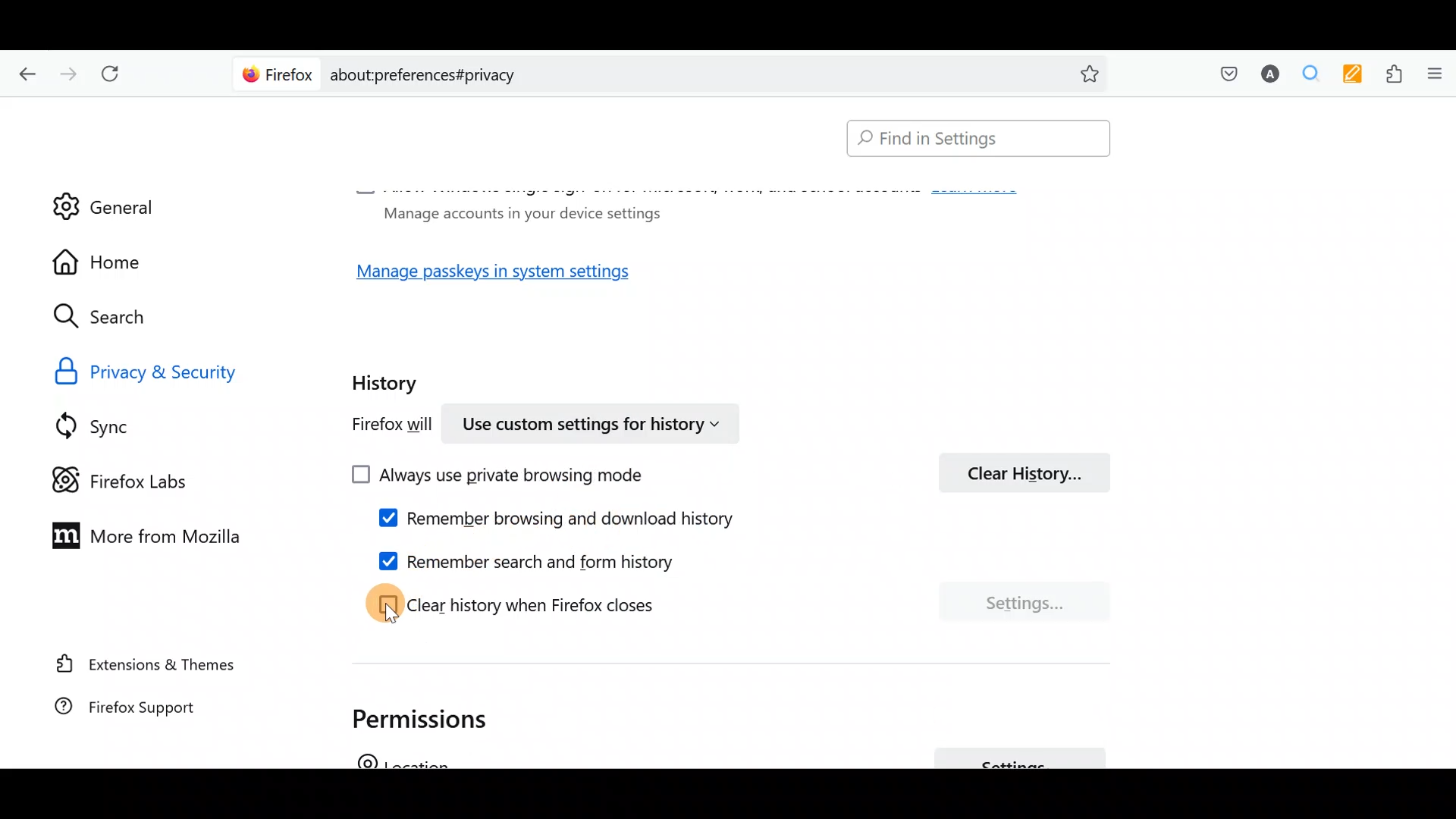 This screenshot has height=819, width=1456. What do you see at coordinates (144, 714) in the screenshot?
I see `Firefox support` at bounding box center [144, 714].